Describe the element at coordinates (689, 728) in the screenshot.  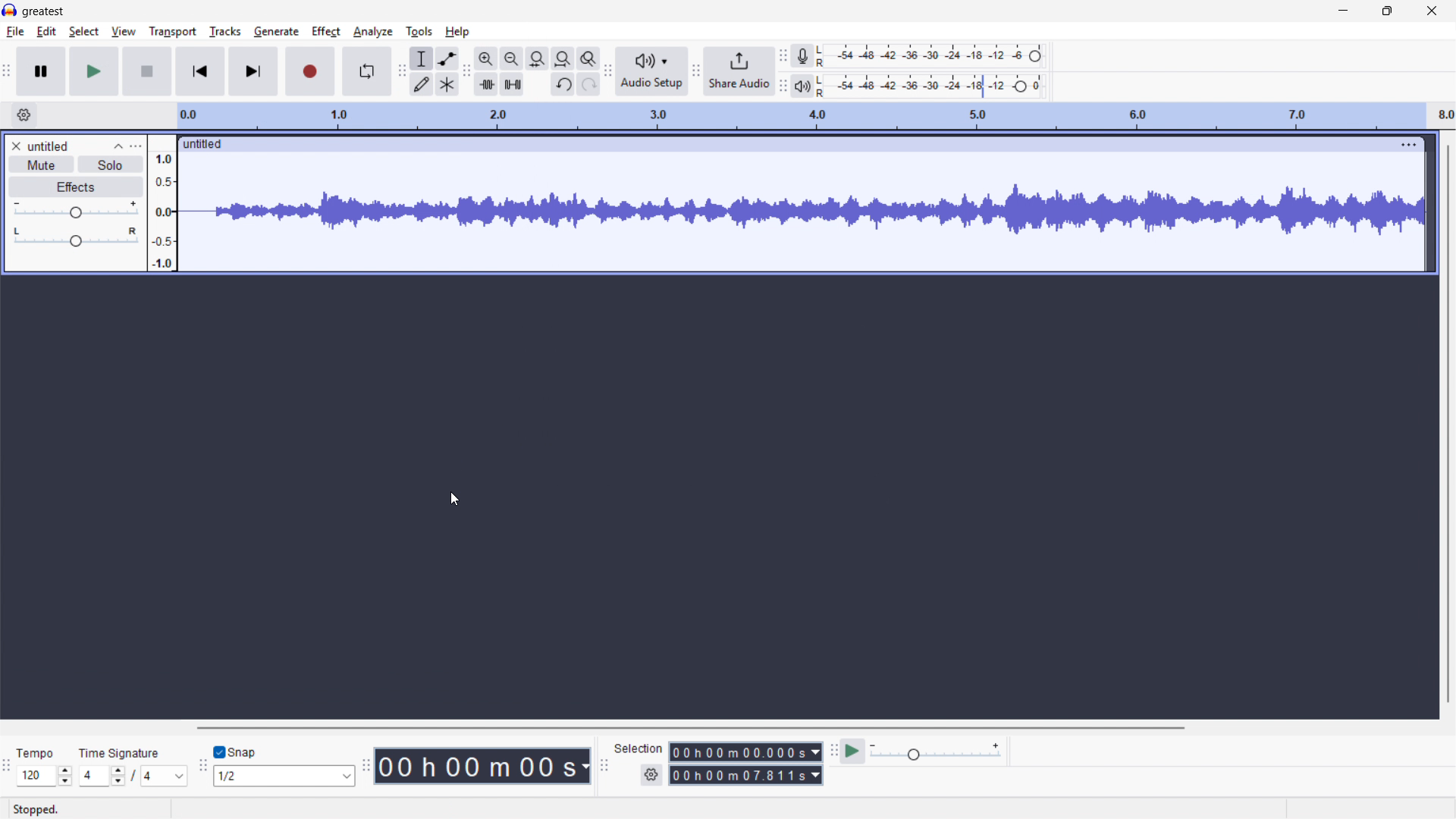
I see `horizontal scrollbar` at that location.